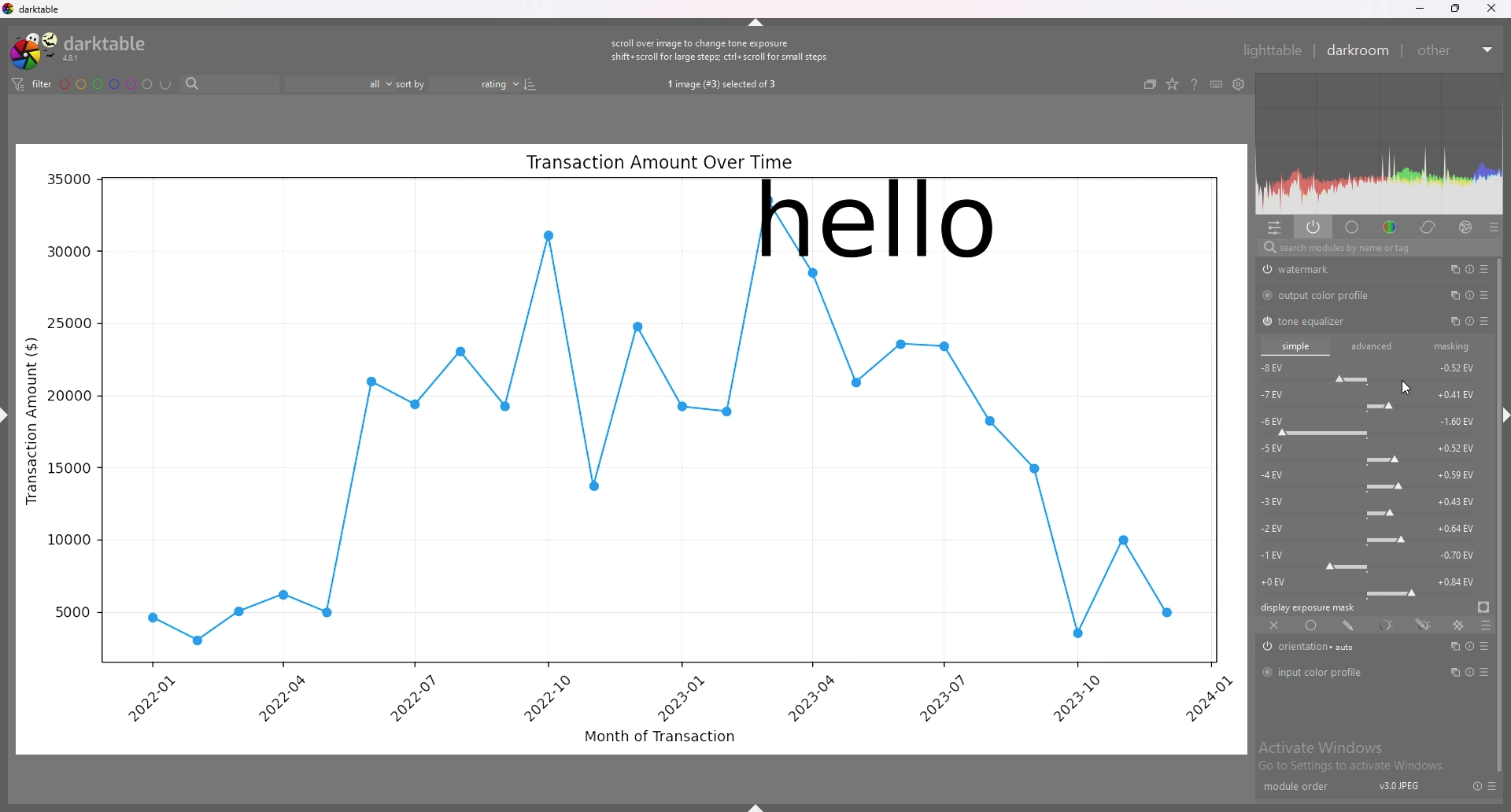 The height and width of the screenshot is (812, 1511). What do you see at coordinates (1314, 228) in the screenshot?
I see `show only active modules` at bounding box center [1314, 228].